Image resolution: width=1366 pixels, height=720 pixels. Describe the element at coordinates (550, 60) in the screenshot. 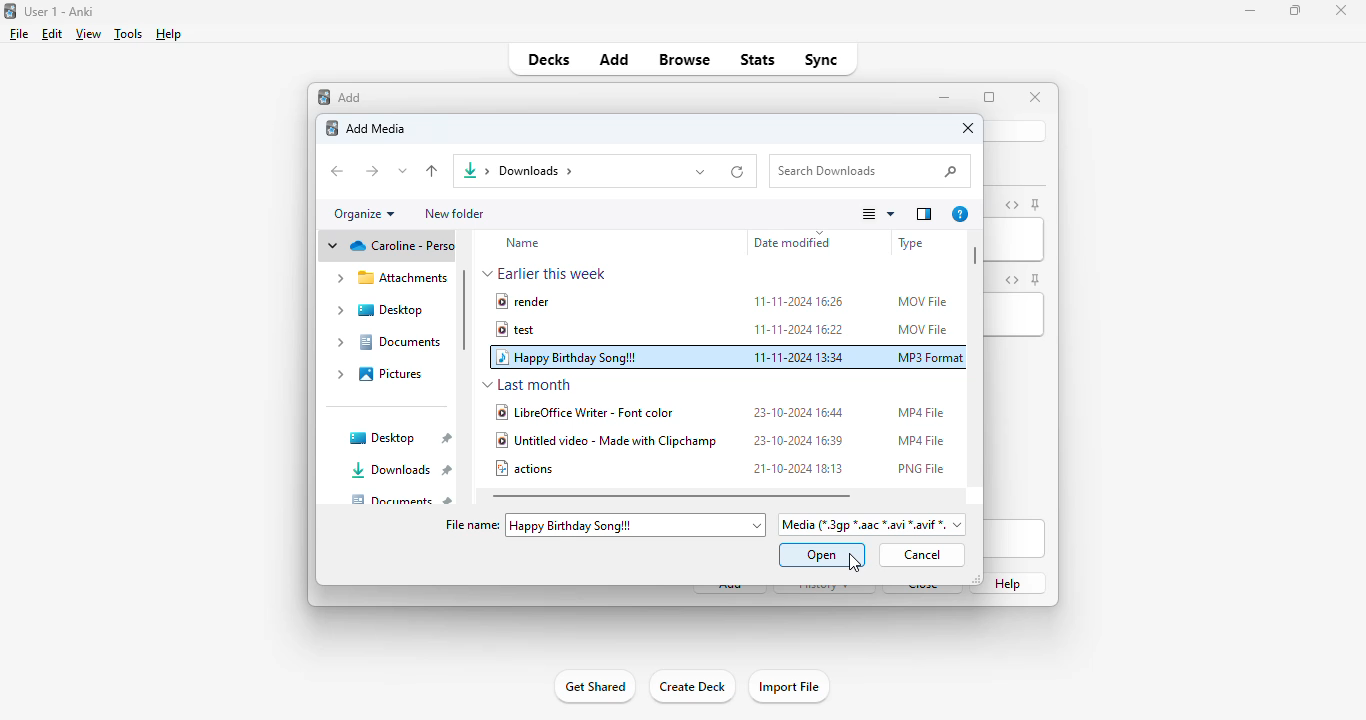

I see `decks` at that location.